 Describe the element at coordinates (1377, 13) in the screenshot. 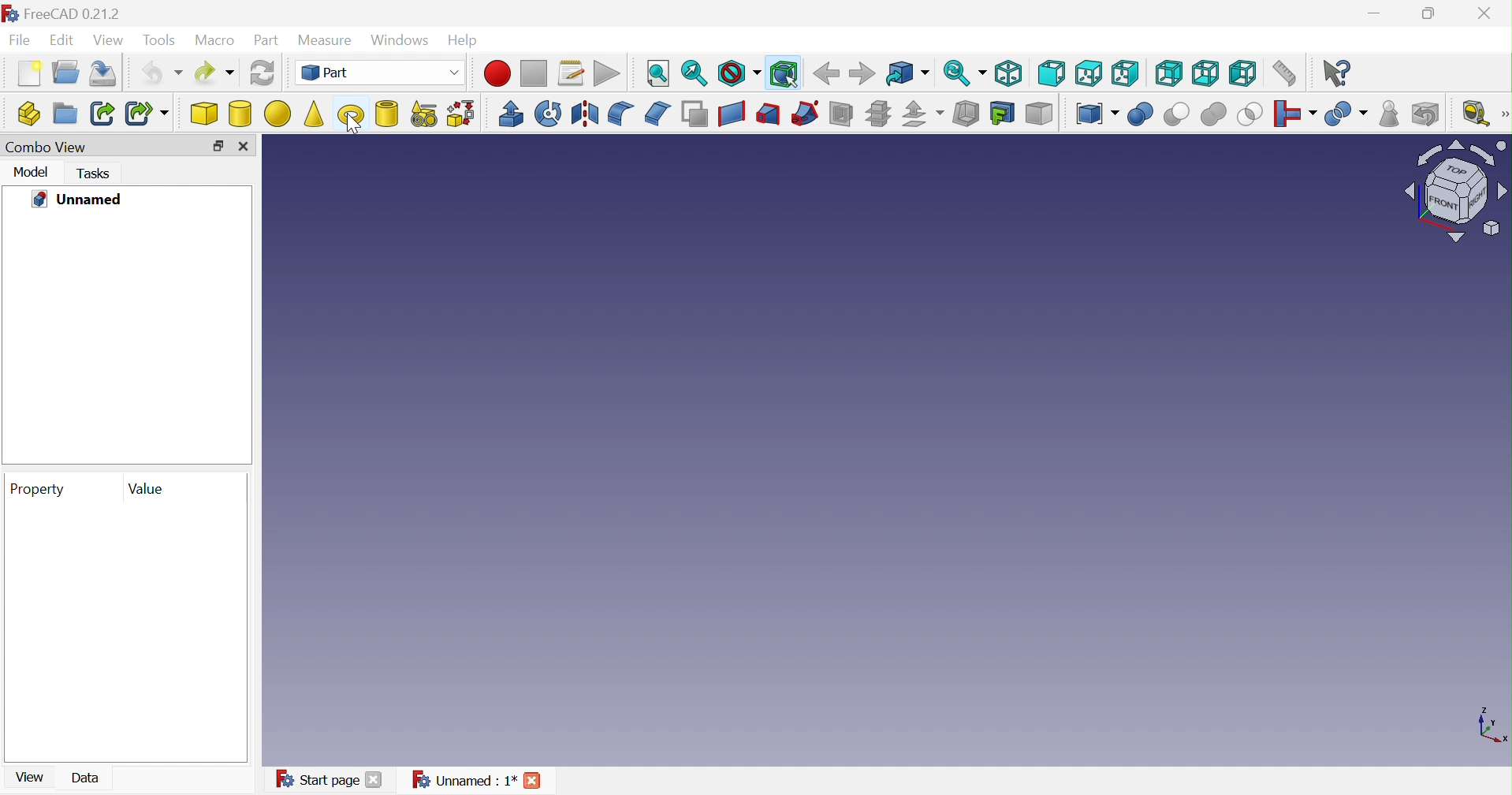

I see `Minimize` at that location.